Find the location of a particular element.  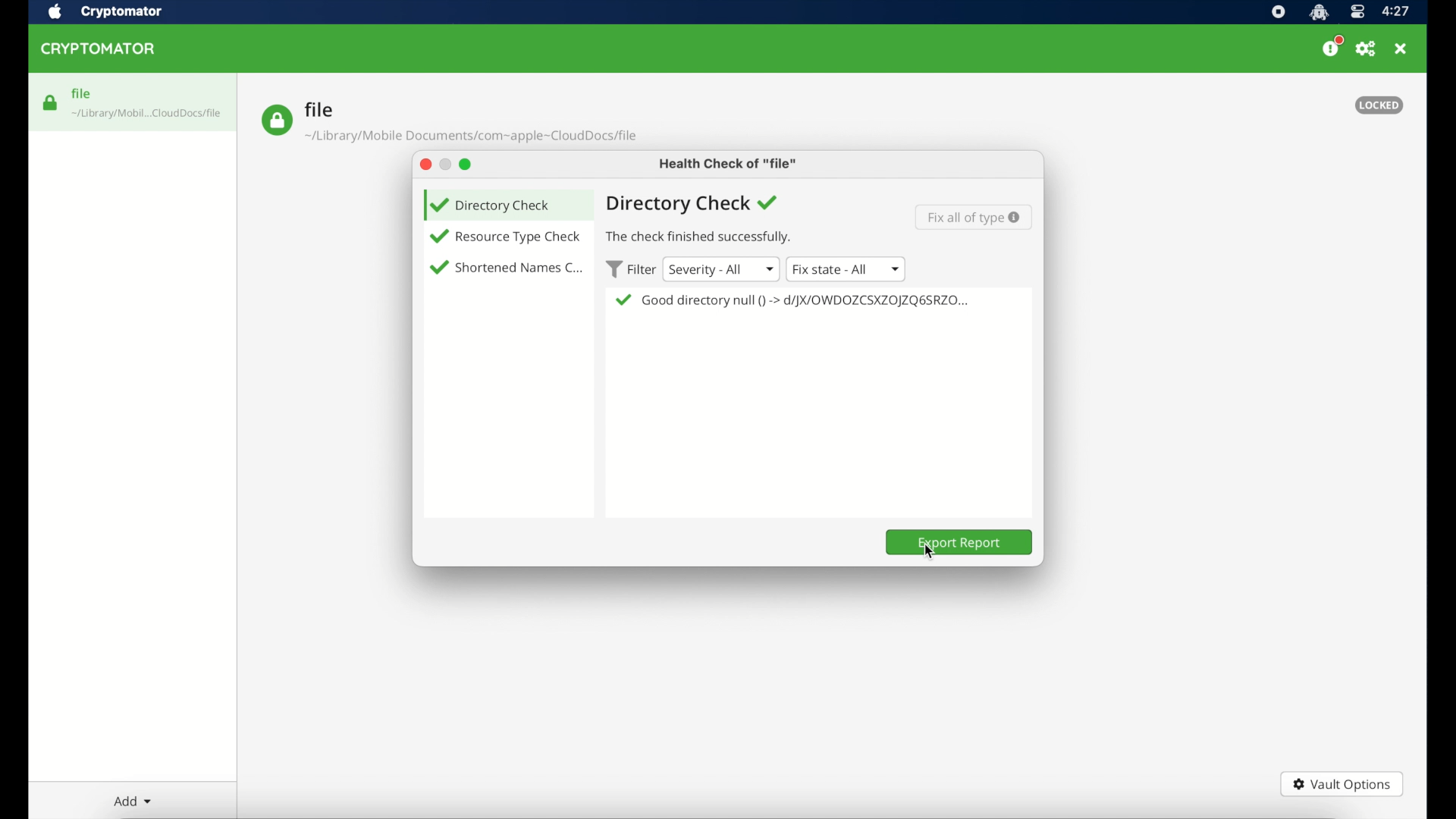

checkmark is located at coordinates (438, 237).